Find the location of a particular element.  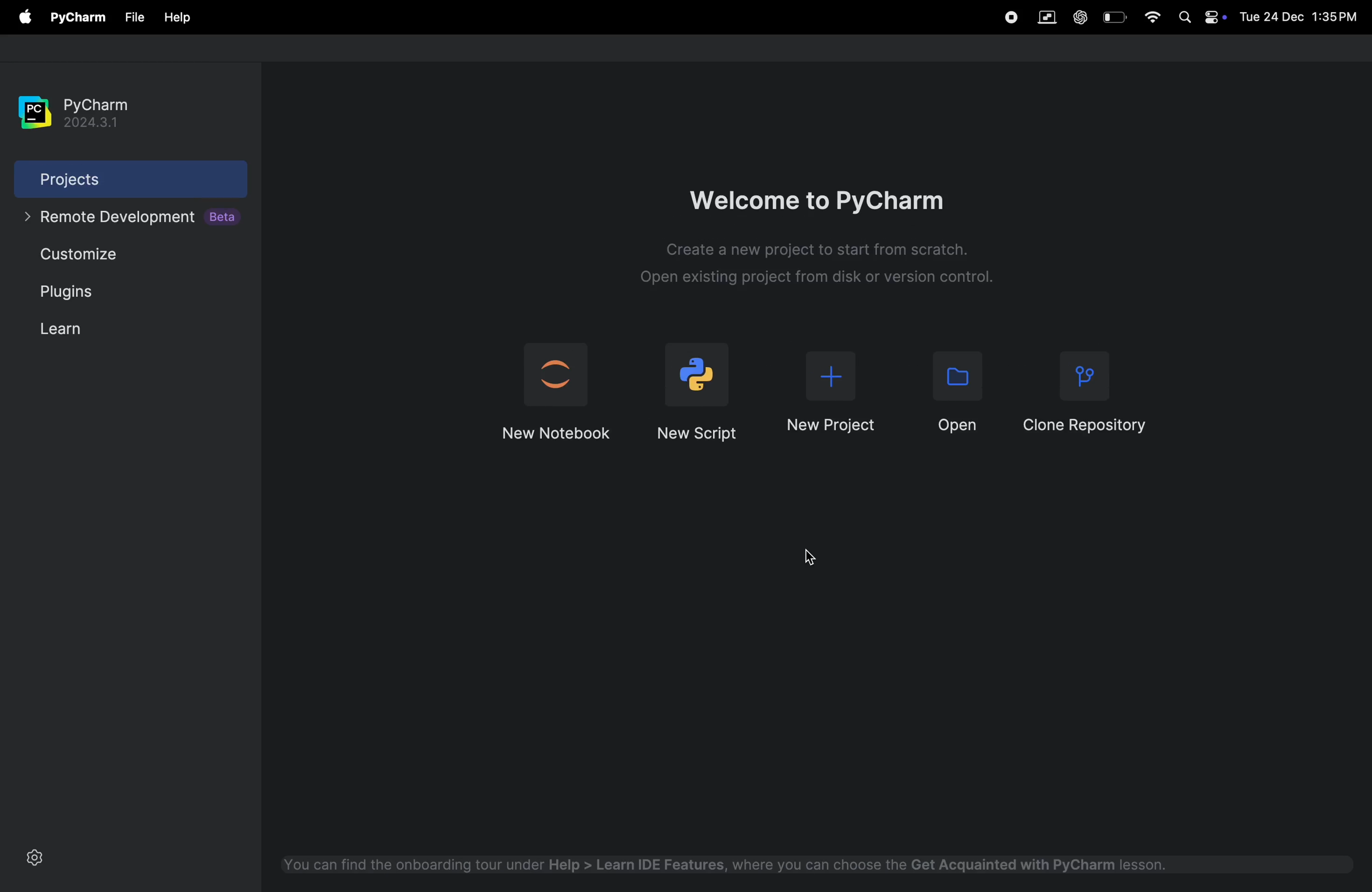

open is located at coordinates (949, 391).